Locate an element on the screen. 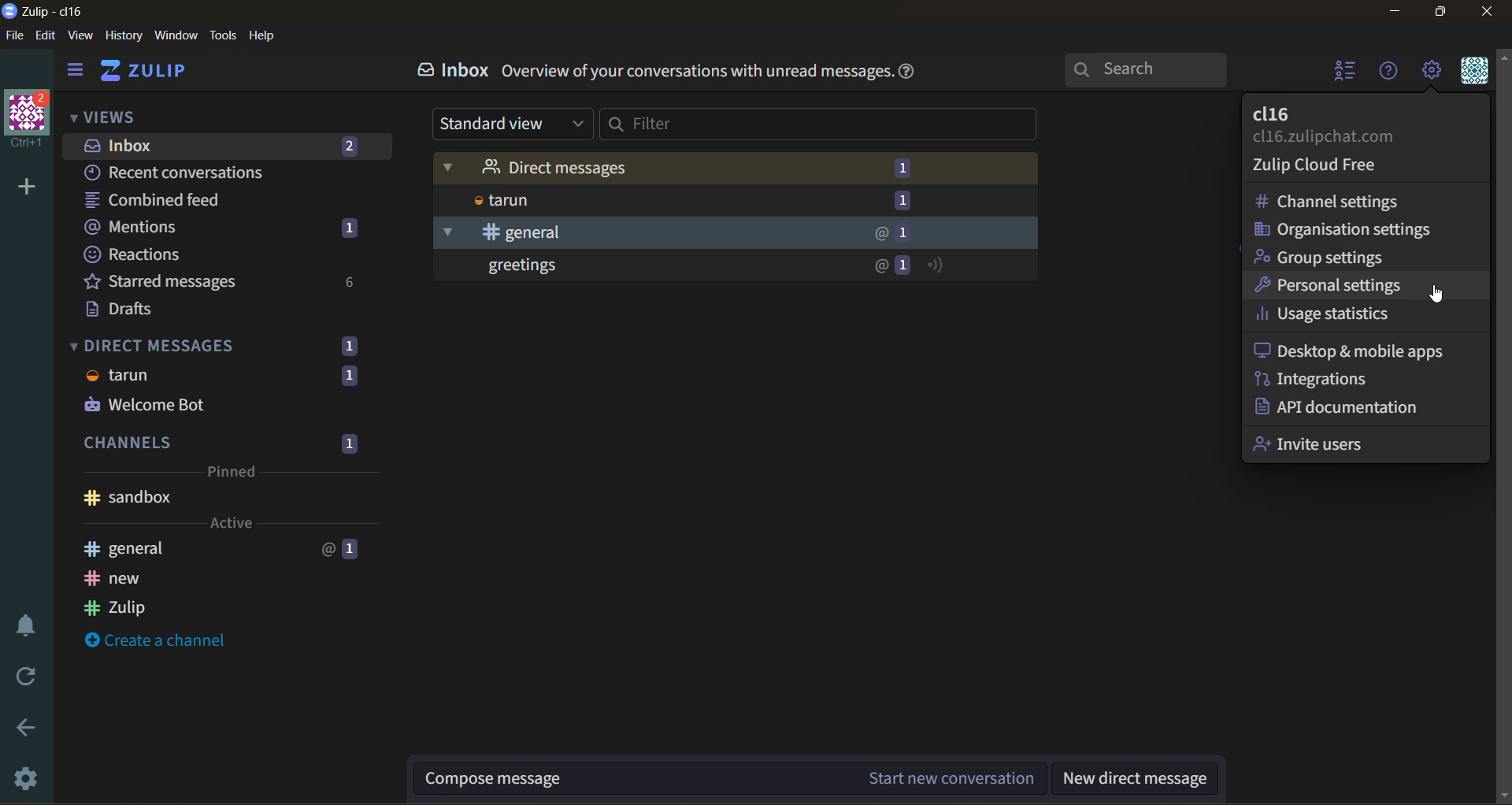 This screenshot has height=805, width=1512. starred messages is located at coordinates (230, 282).